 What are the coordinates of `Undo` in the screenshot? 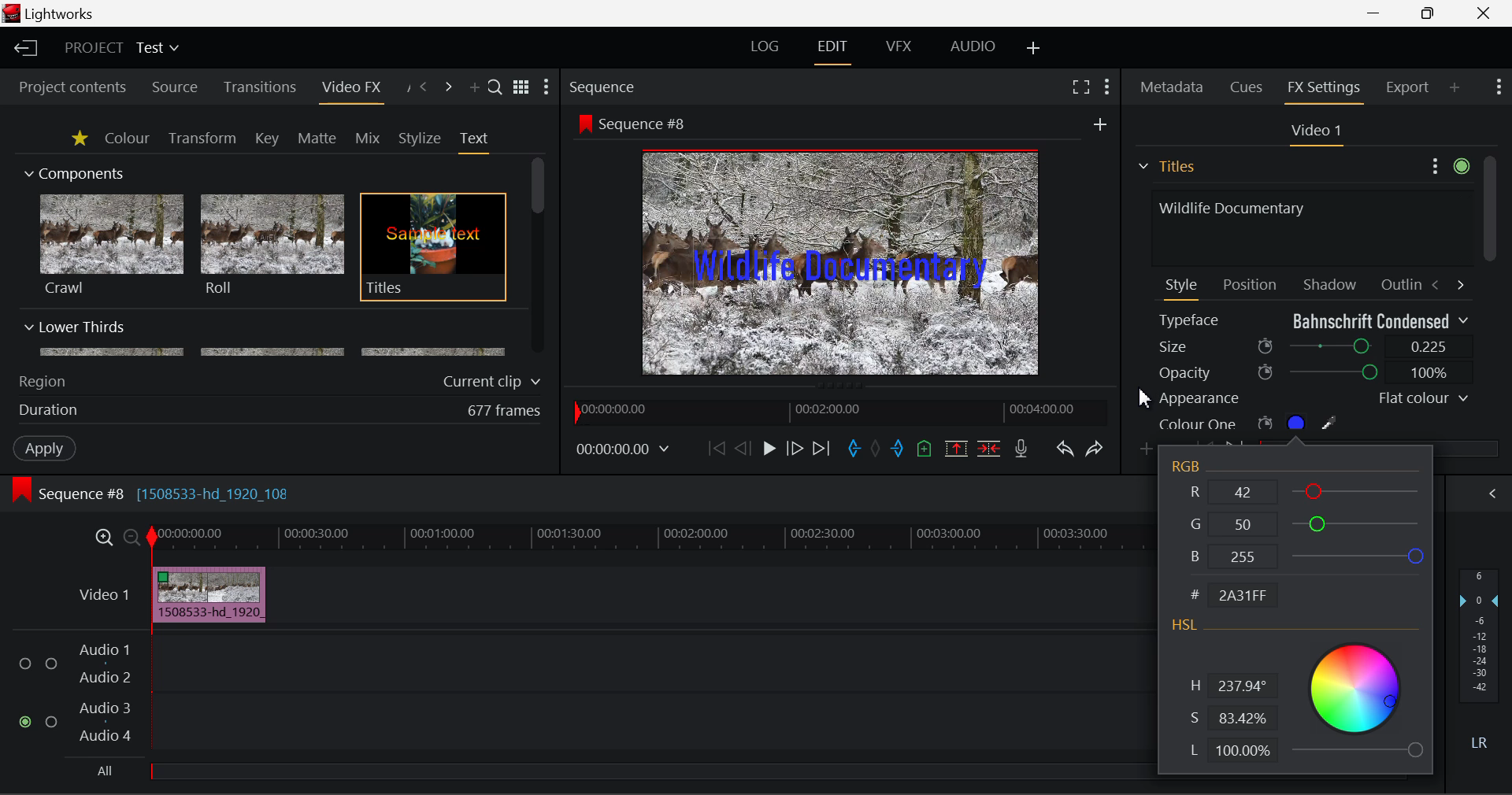 It's located at (1065, 450).